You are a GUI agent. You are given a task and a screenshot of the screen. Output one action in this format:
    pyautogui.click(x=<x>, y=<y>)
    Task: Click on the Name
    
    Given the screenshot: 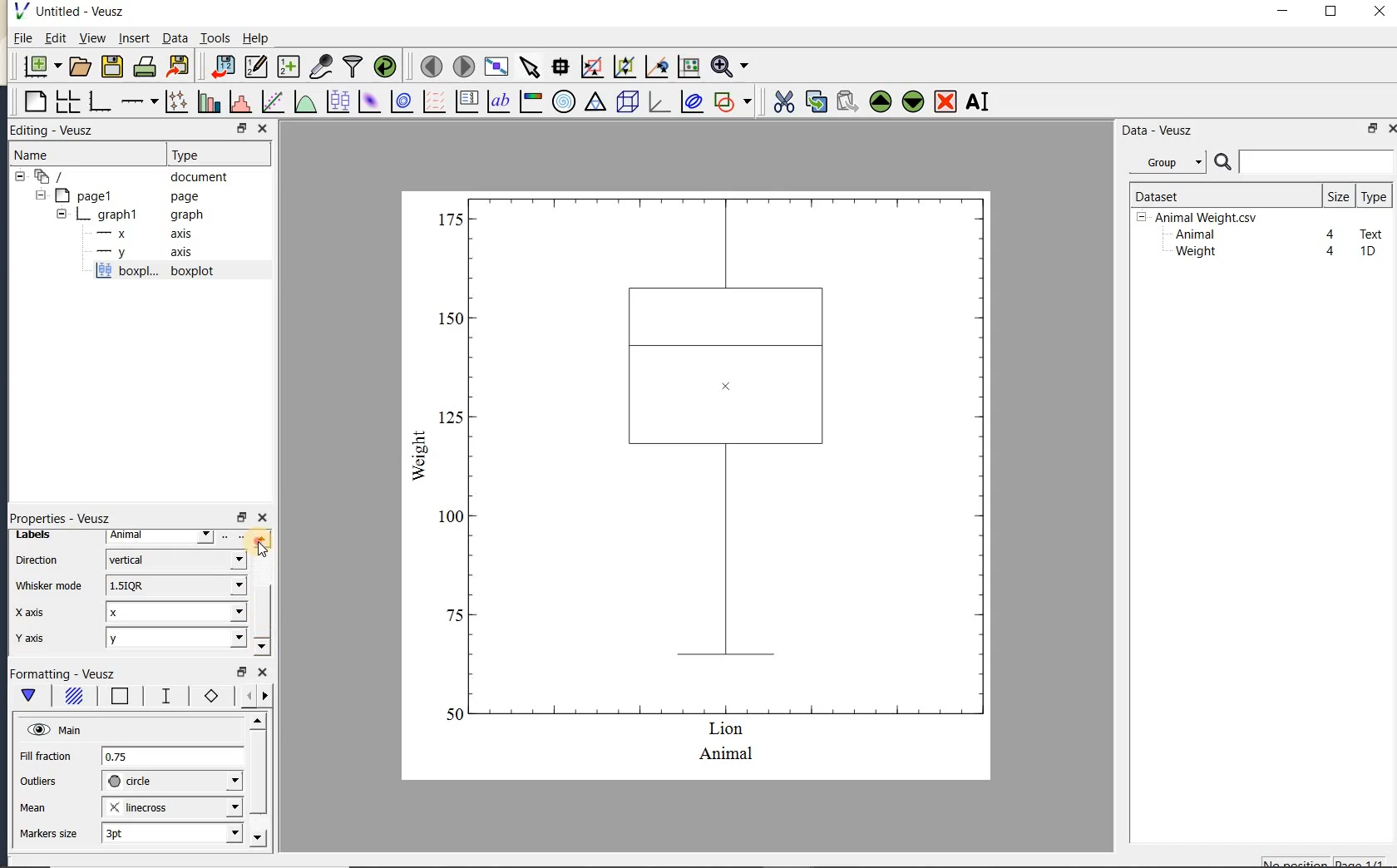 What is the action you would take?
    pyautogui.click(x=49, y=155)
    